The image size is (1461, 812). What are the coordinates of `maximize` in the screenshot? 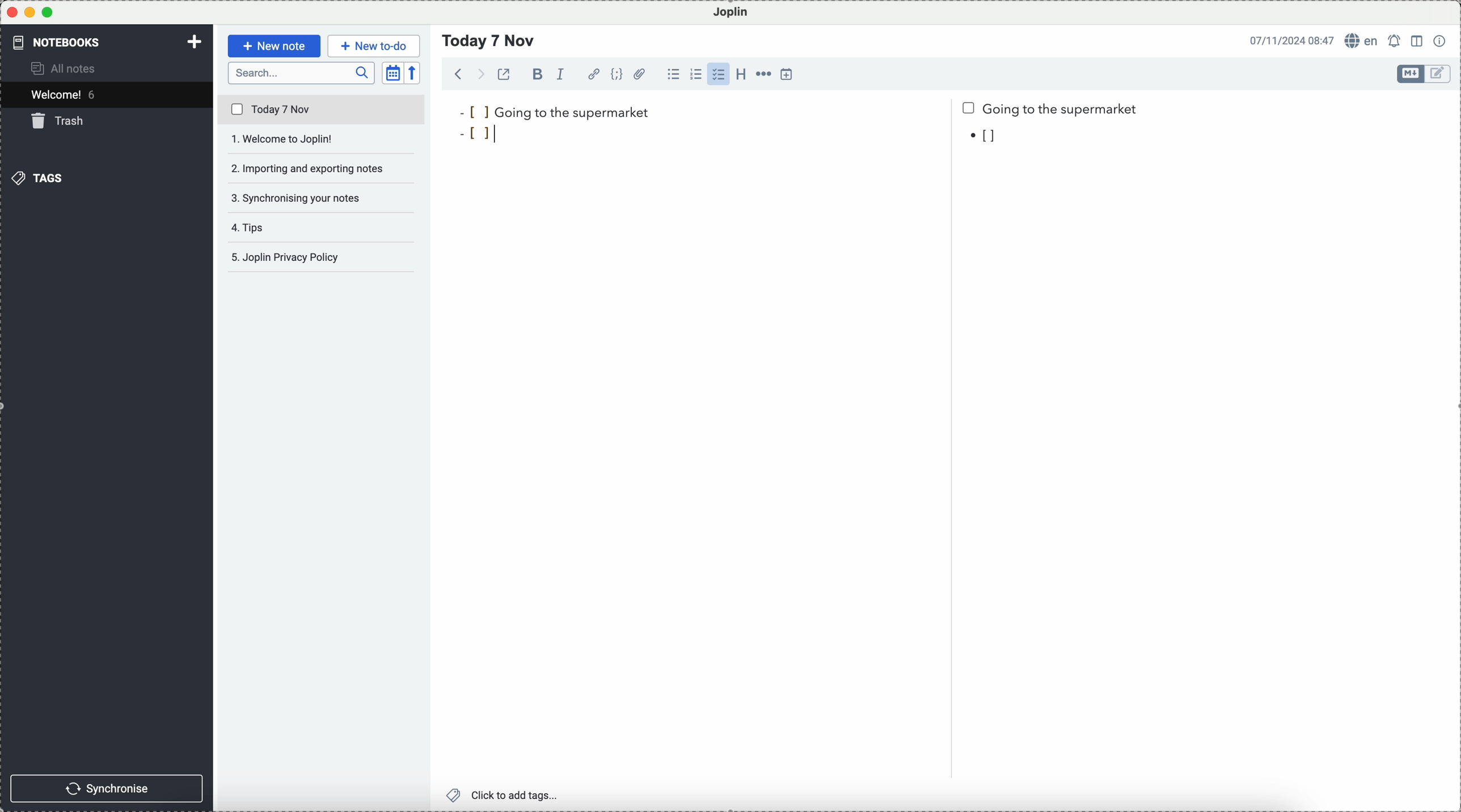 It's located at (48, 12).